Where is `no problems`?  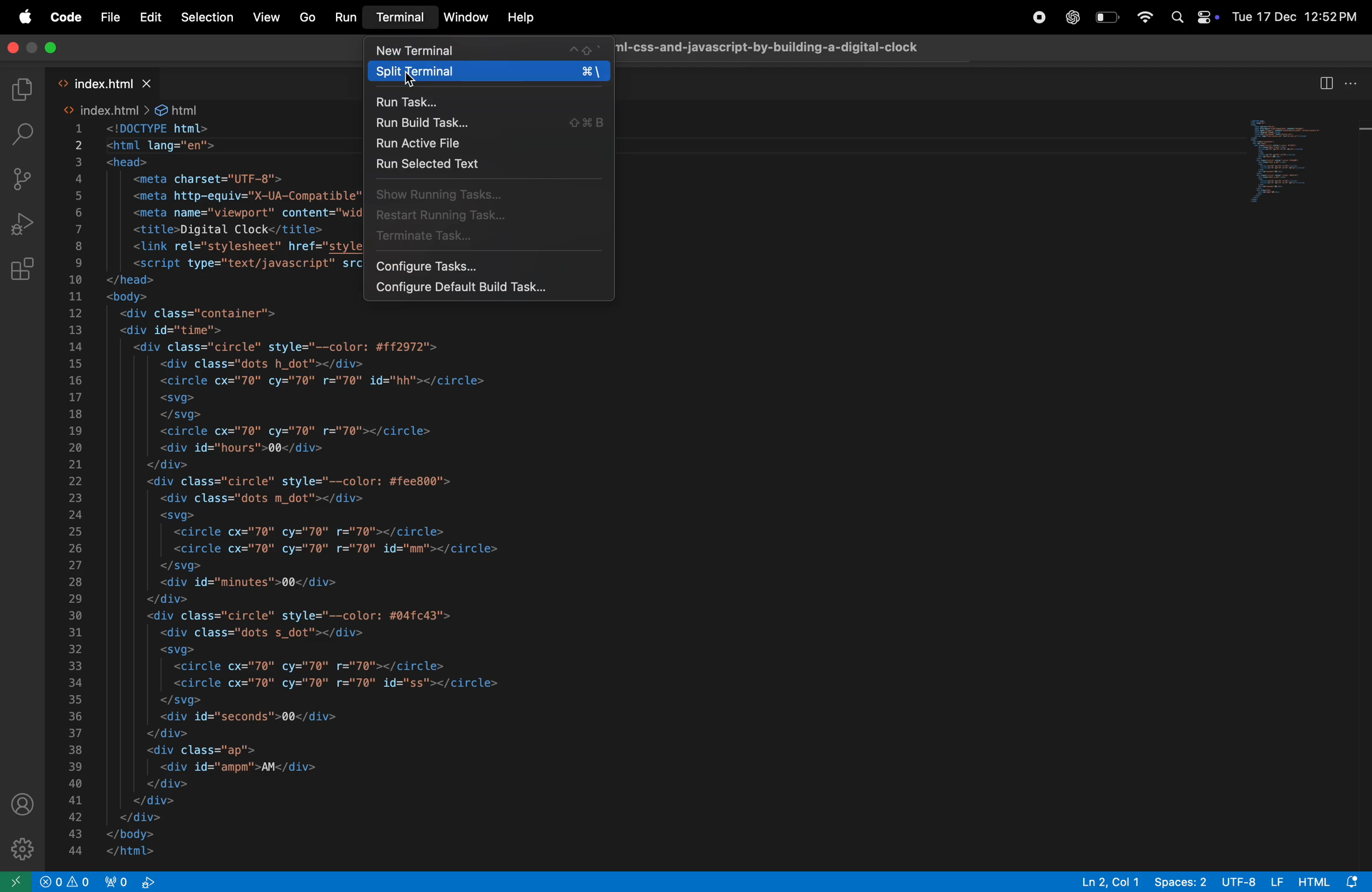 no problems is located at coordinates (66, 882).